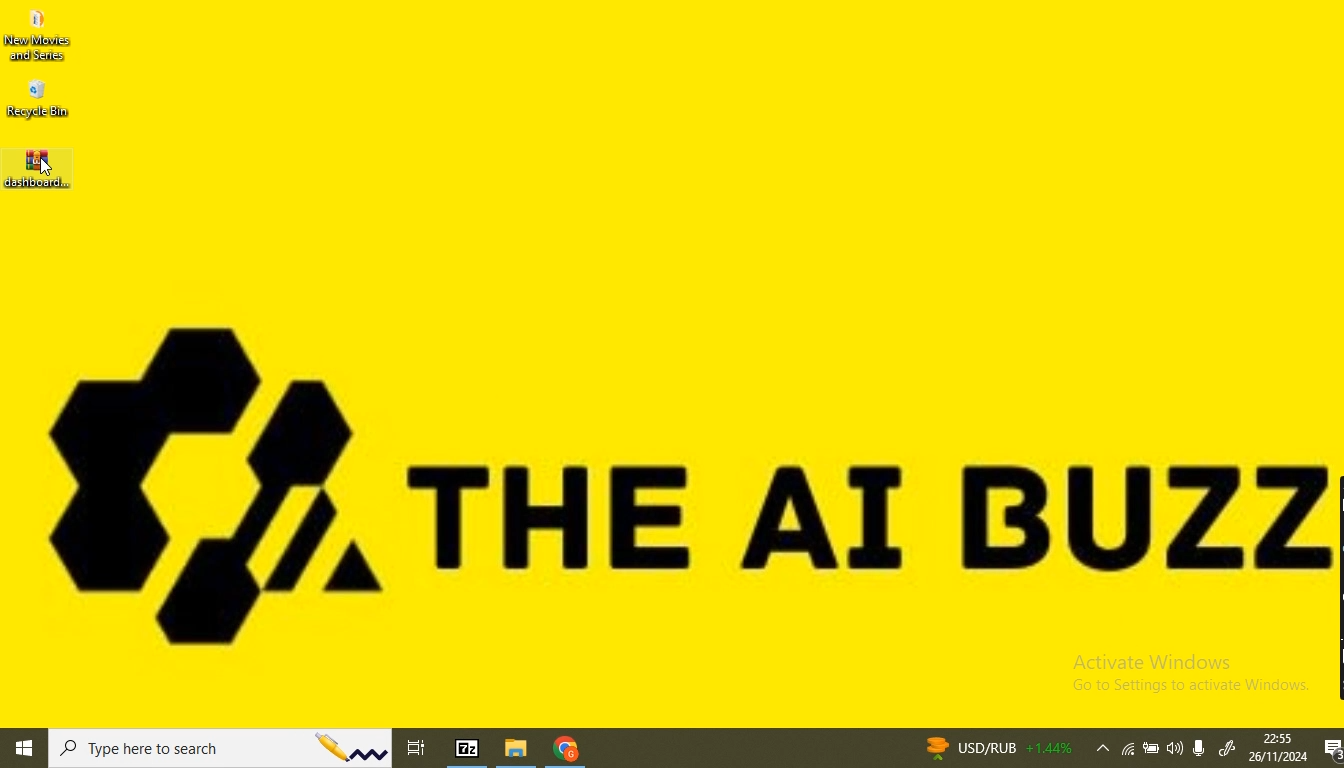  What do you see at coordinates (25, 750) in the screenshot?
I see `windows` at bounding box center [25, 750].